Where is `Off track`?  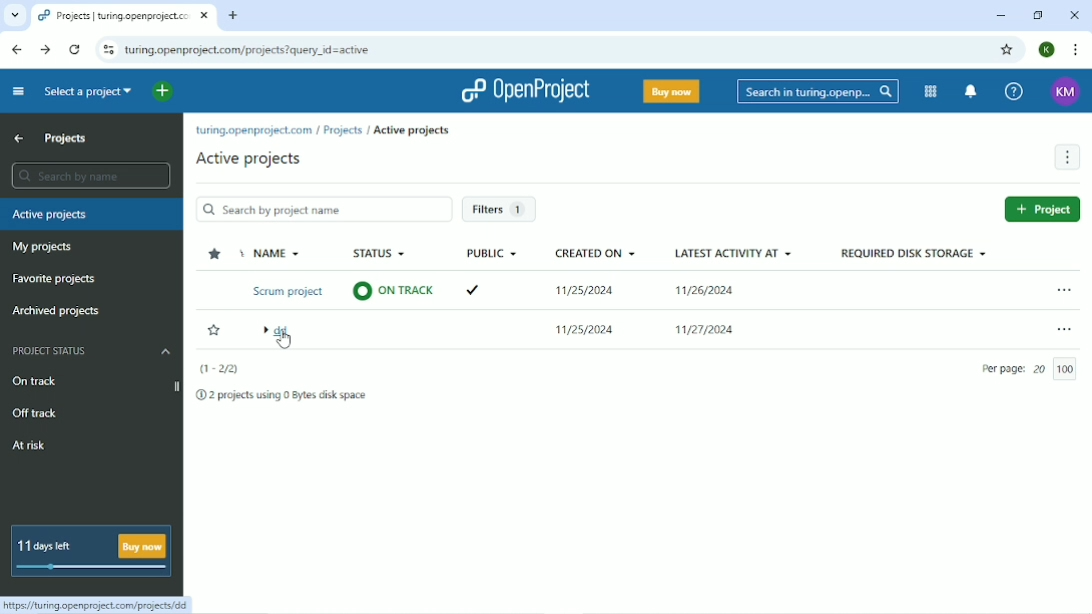 Off track is located at coordinates (35, 413).